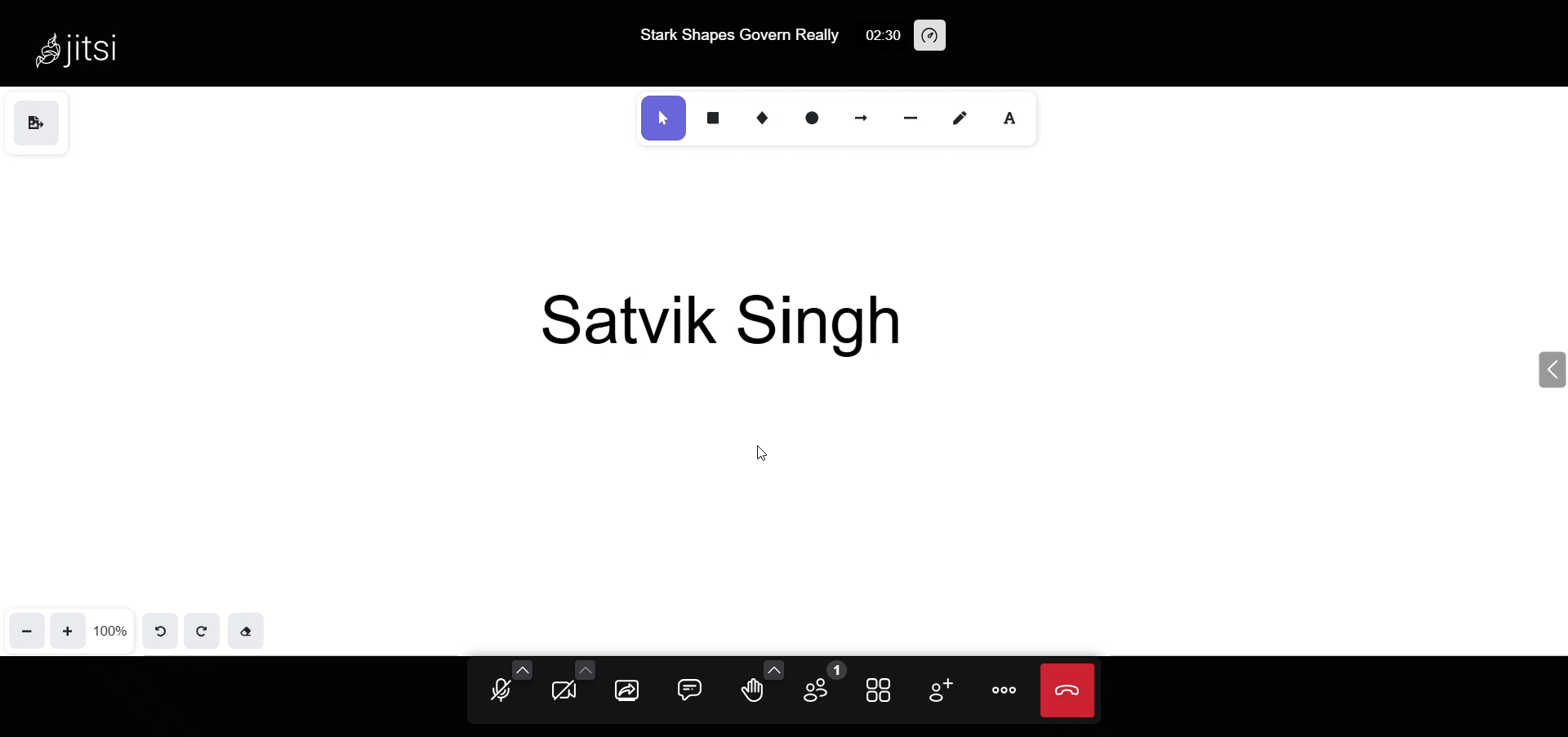 The image size is (1568, 737). Describe the element at coordinates (111, 630) in the screenshot. I see `100%` at that location.